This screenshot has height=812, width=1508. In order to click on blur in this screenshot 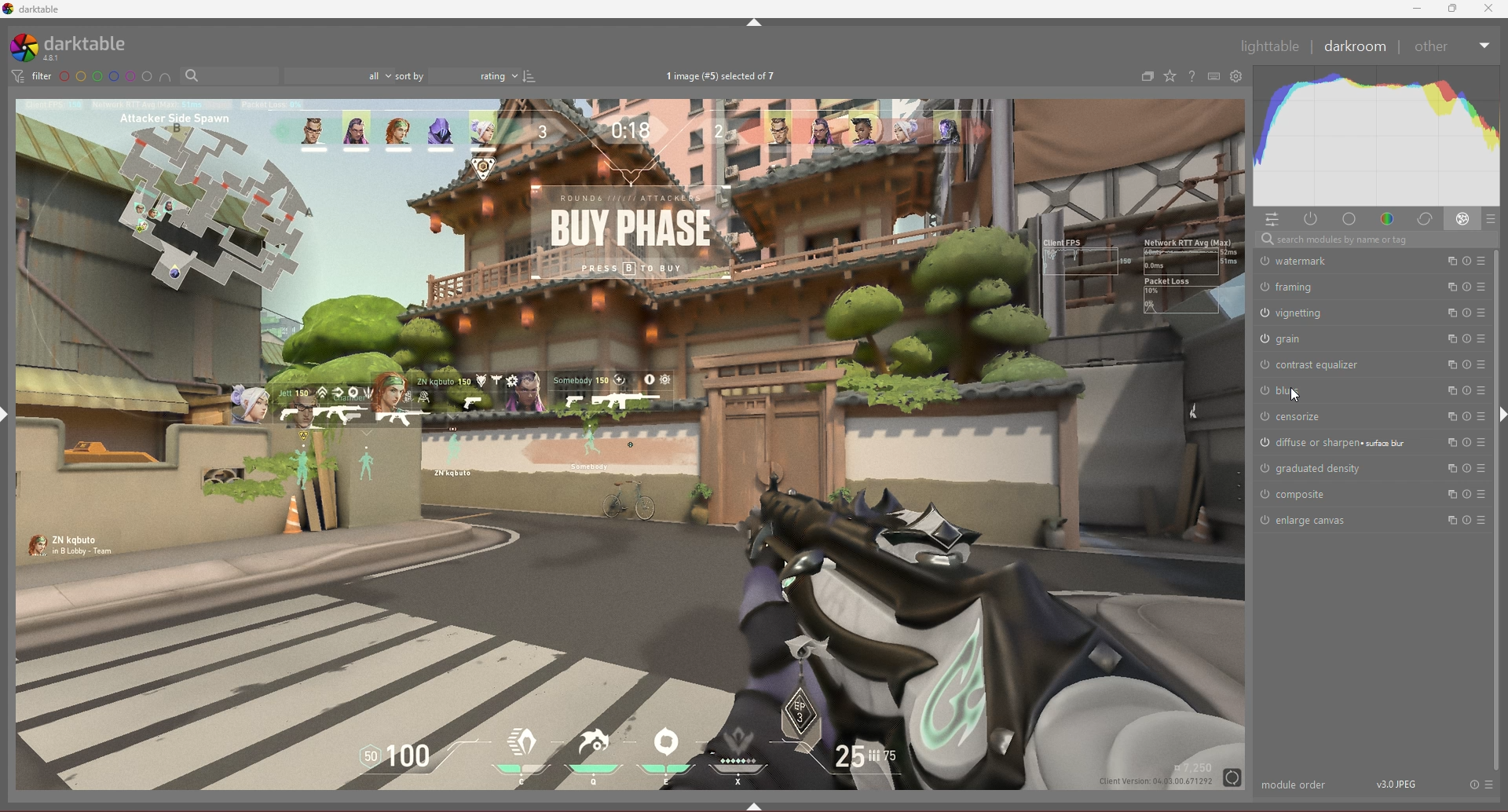, I will do `click(1318, 391)`.